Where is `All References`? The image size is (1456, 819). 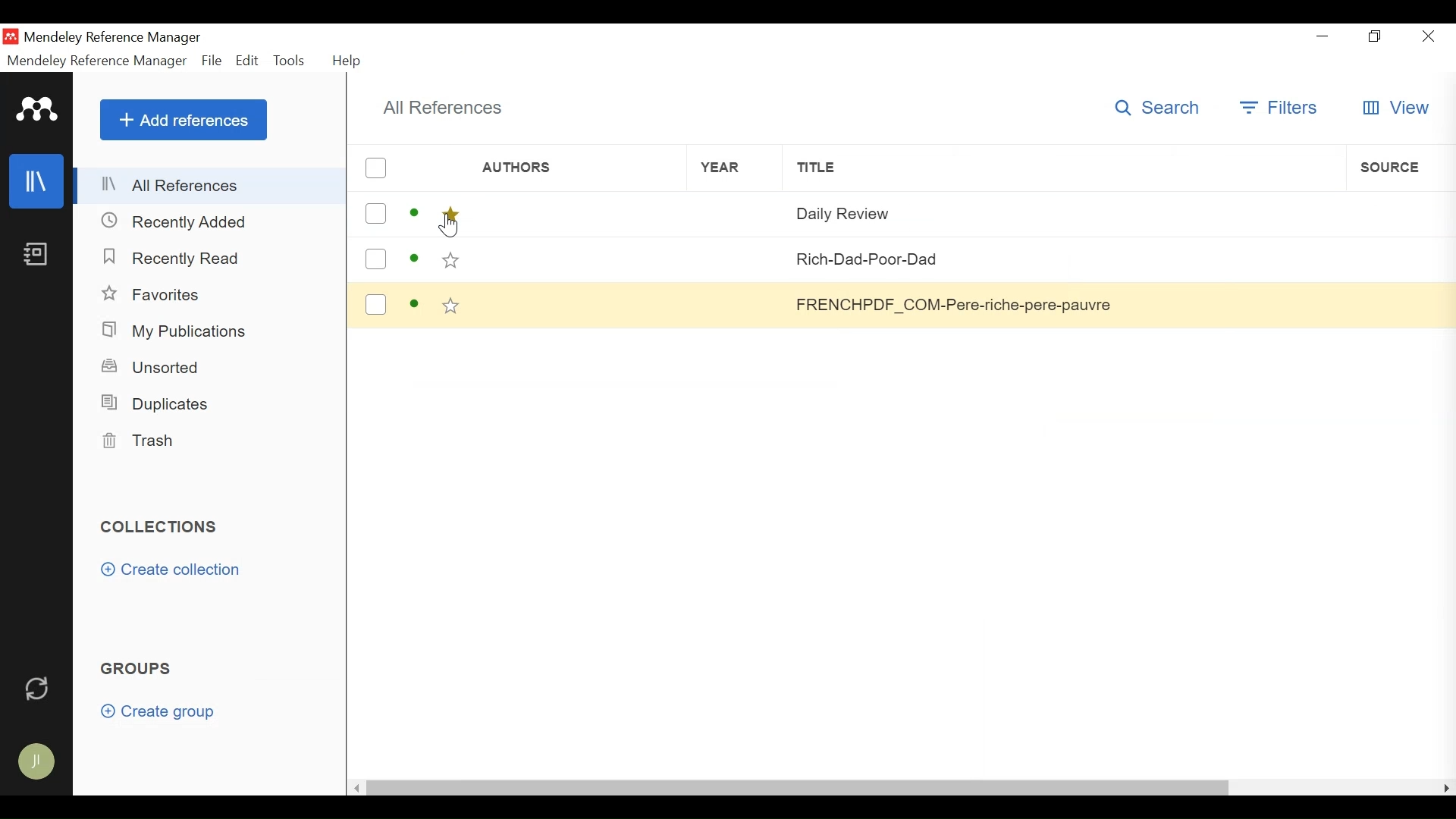
All References is located at coordinates (438, 107).